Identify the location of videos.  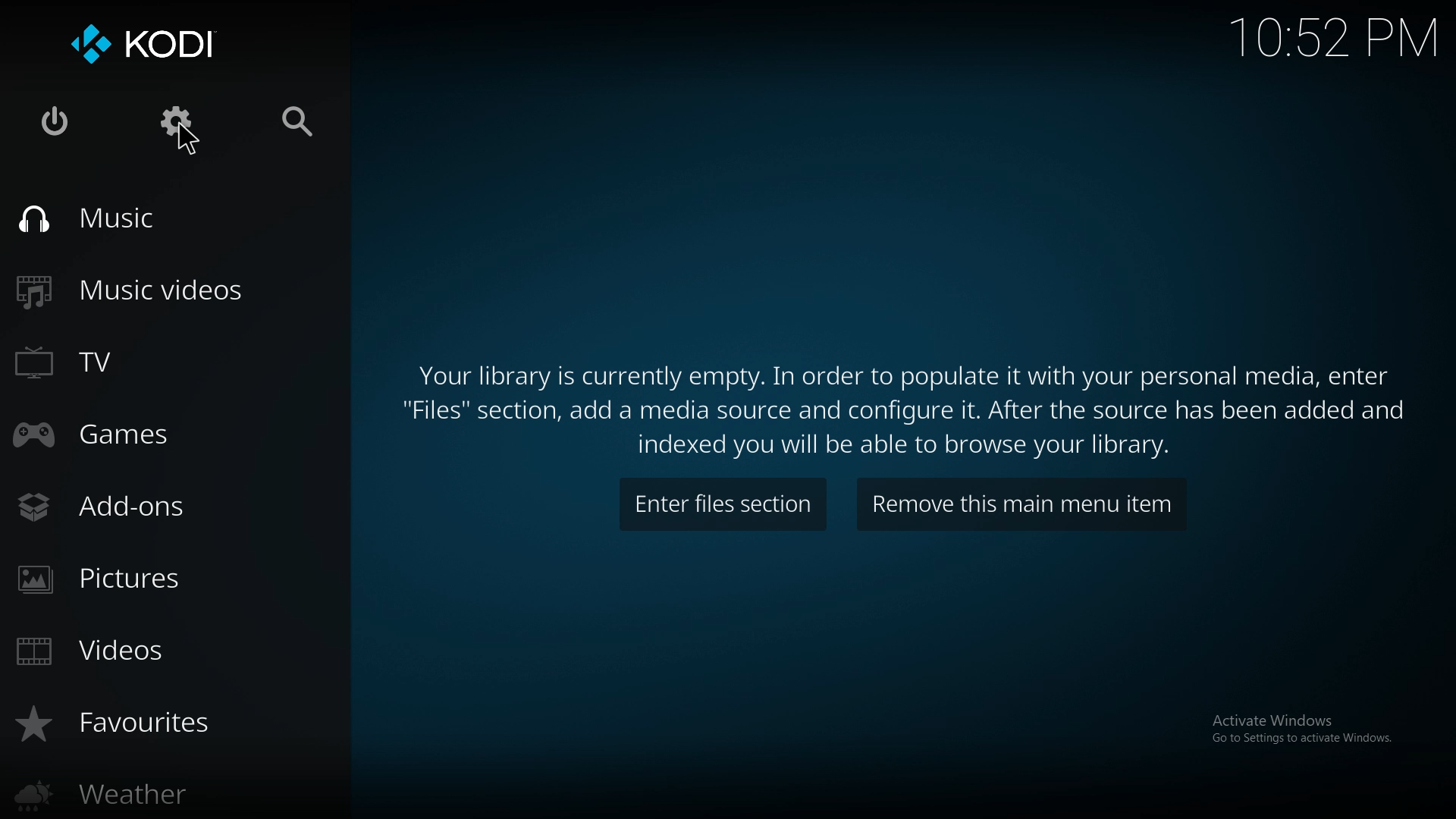
(147, 651).